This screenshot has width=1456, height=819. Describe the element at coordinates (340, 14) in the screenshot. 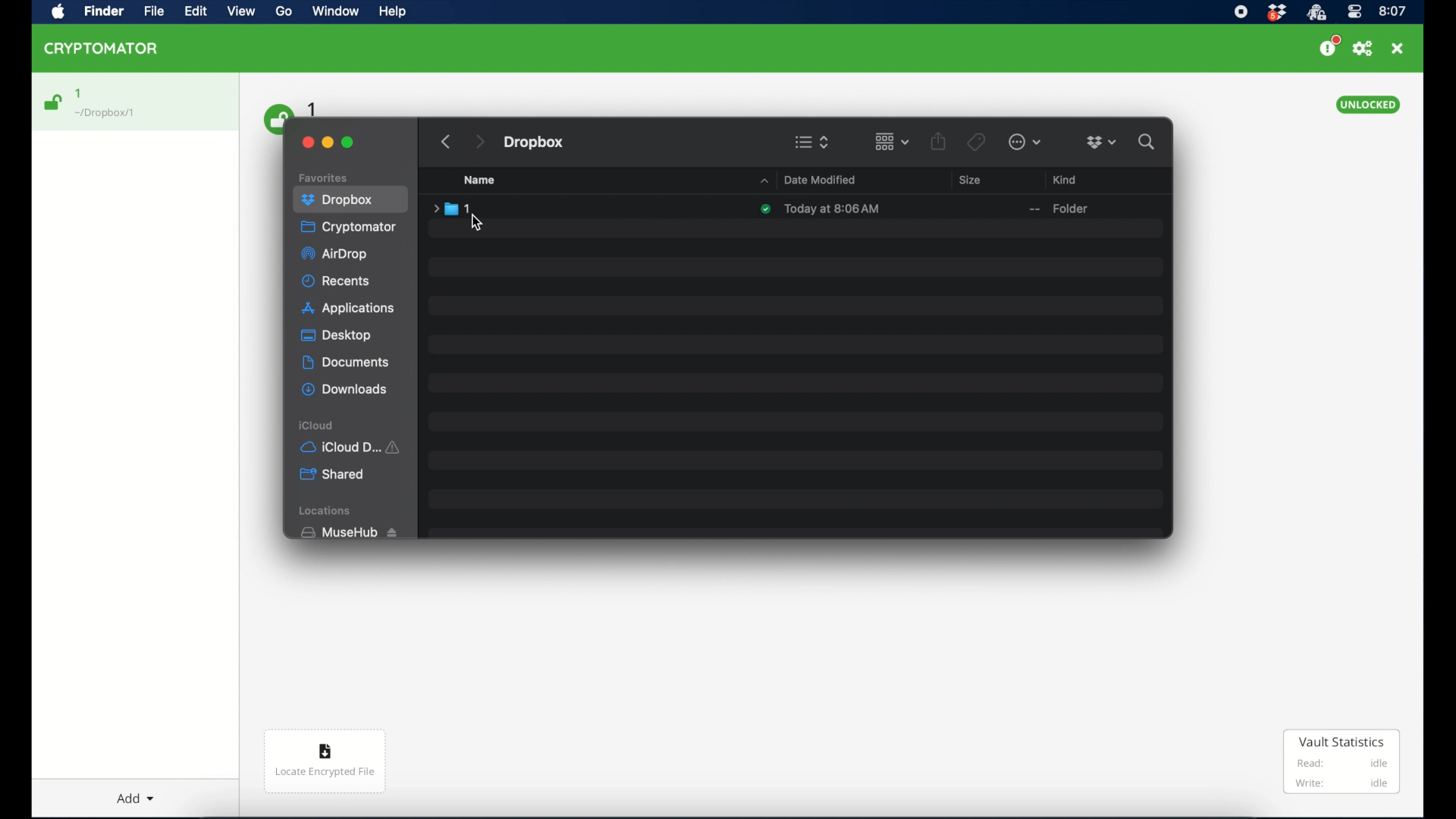

I see `Window` at that location.